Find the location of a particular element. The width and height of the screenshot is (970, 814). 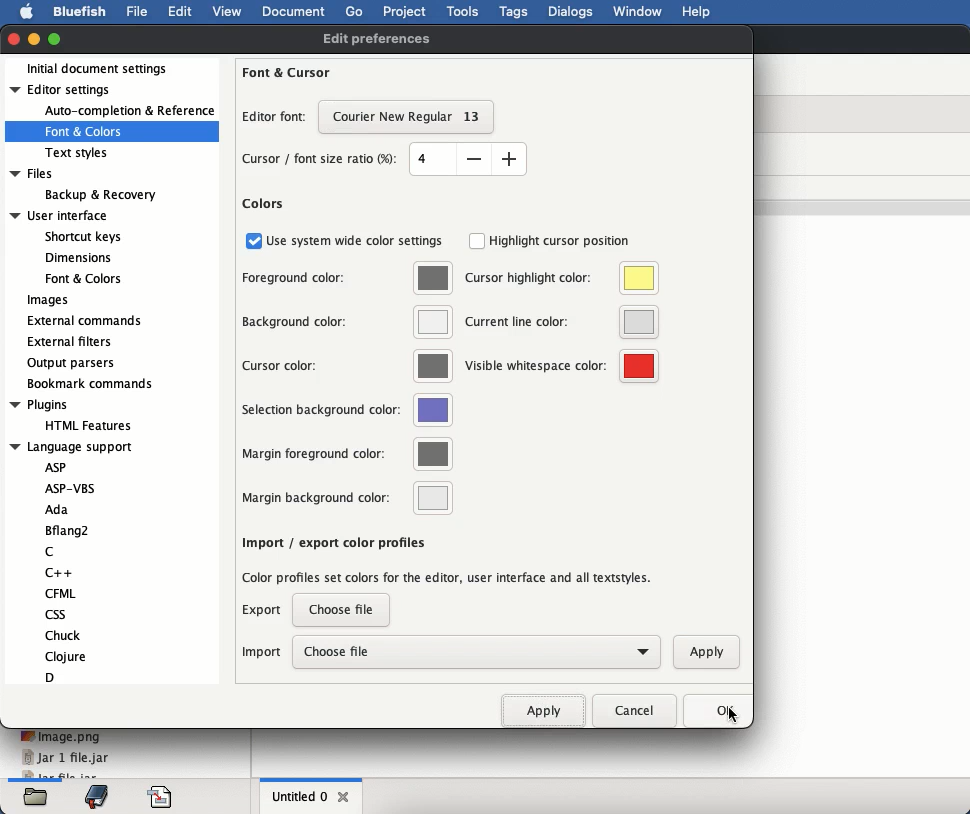

bookmark is located at coordinates (96, 796).